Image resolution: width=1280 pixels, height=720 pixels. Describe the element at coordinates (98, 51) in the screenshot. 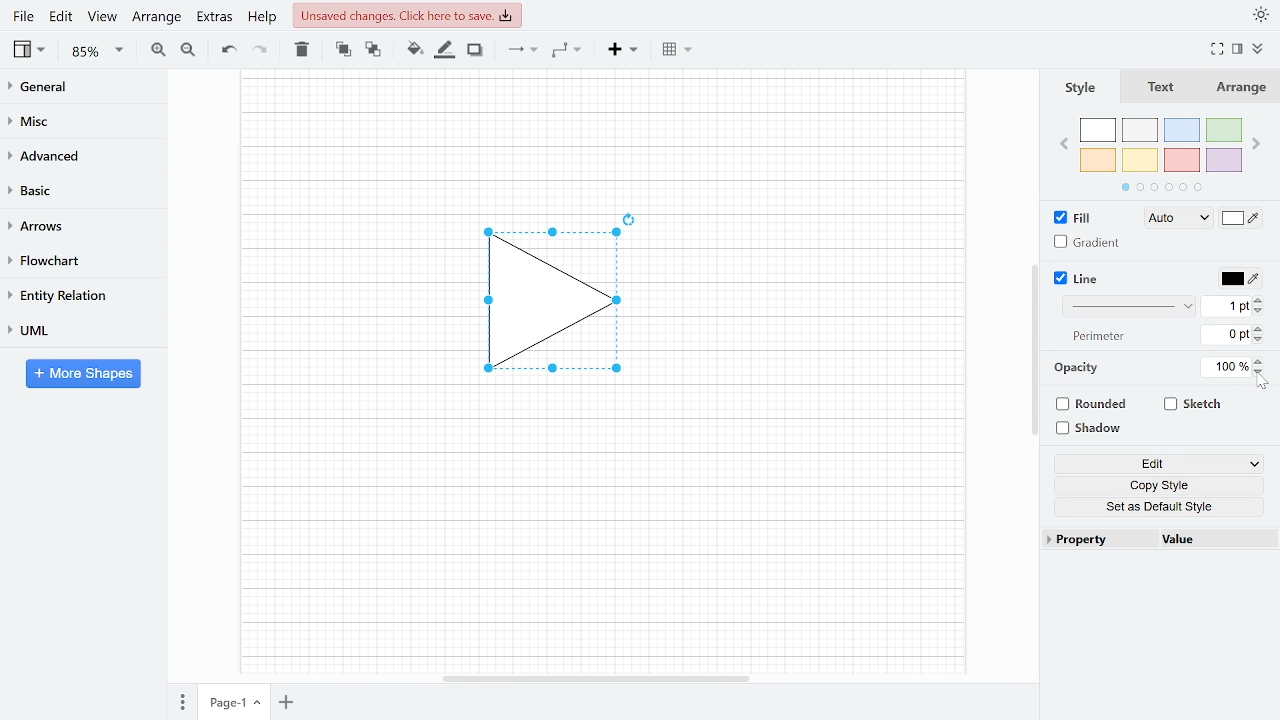

I see `Zoom` at that location.